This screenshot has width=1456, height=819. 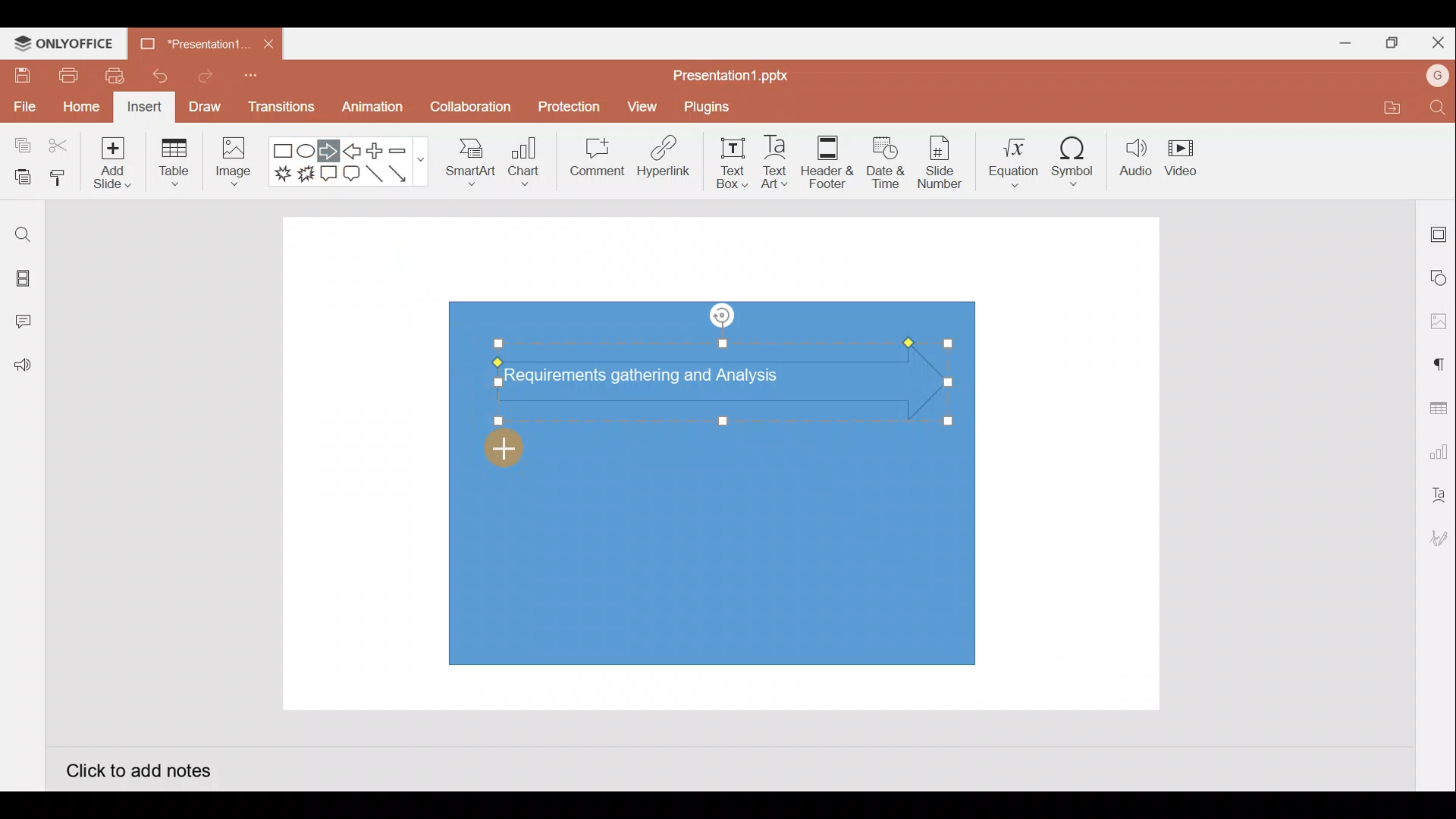 I want to click on Text box, so click(x=733, y=163).